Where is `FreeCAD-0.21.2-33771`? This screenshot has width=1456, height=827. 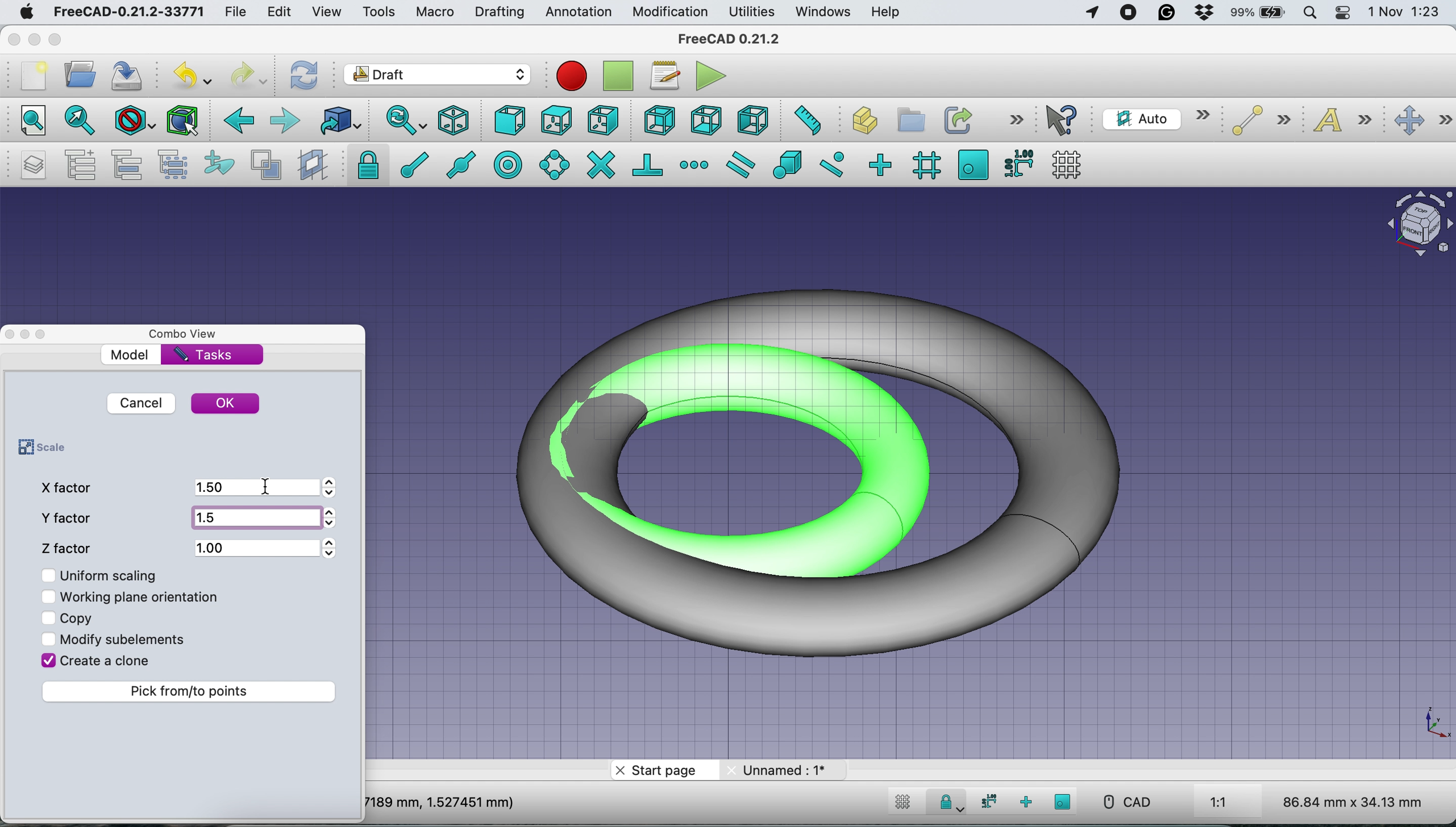
FreeCAD-0.21.2-33771 is located at coordinates (130, 11).